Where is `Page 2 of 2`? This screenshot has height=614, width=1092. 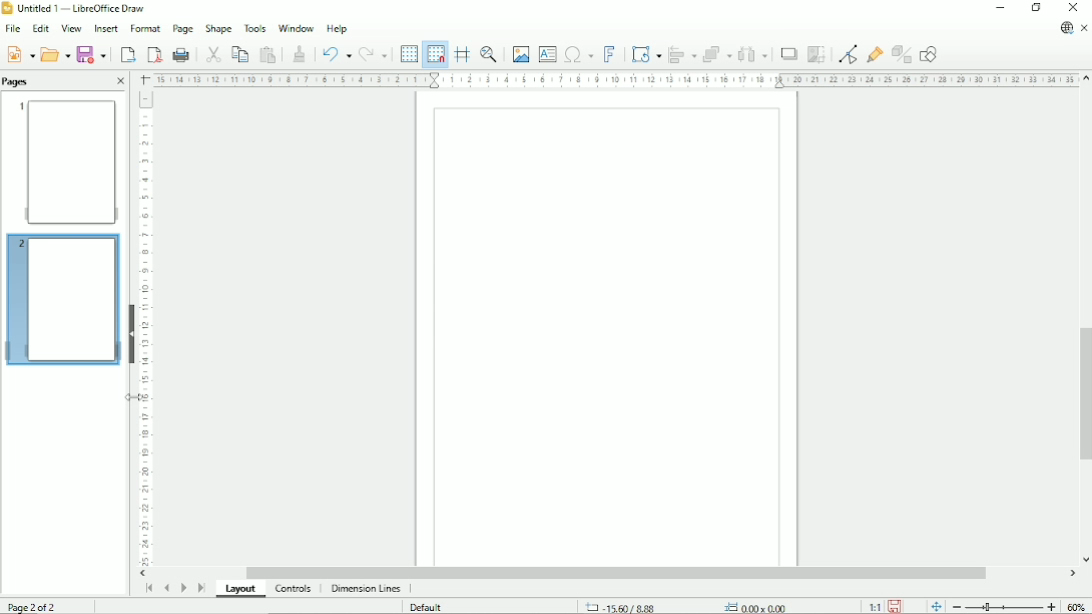 Page 2 of 2 is located at coordinates (36, 605).